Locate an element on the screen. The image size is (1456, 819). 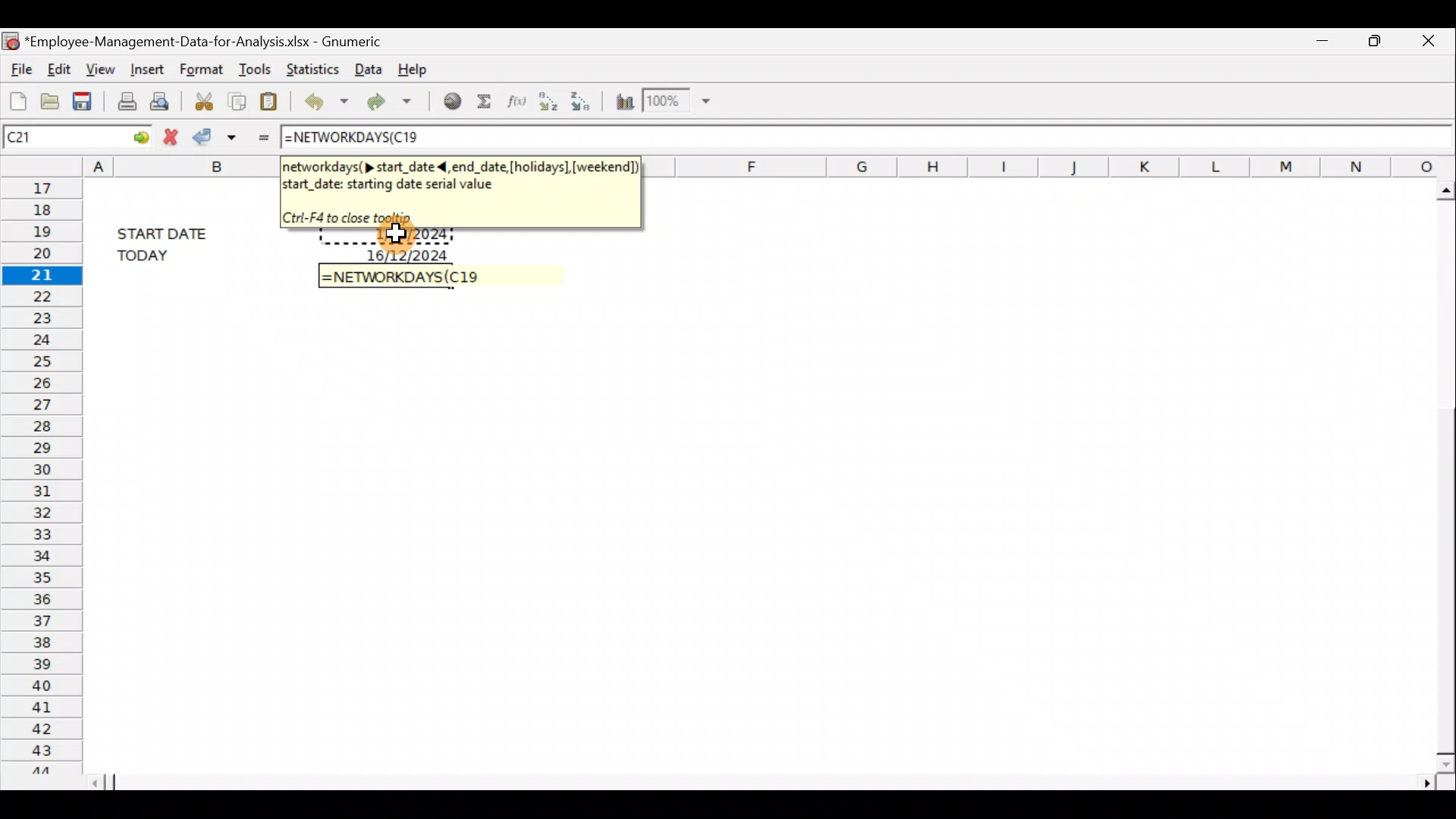
Maximize is located at coordinates (1374, 42).